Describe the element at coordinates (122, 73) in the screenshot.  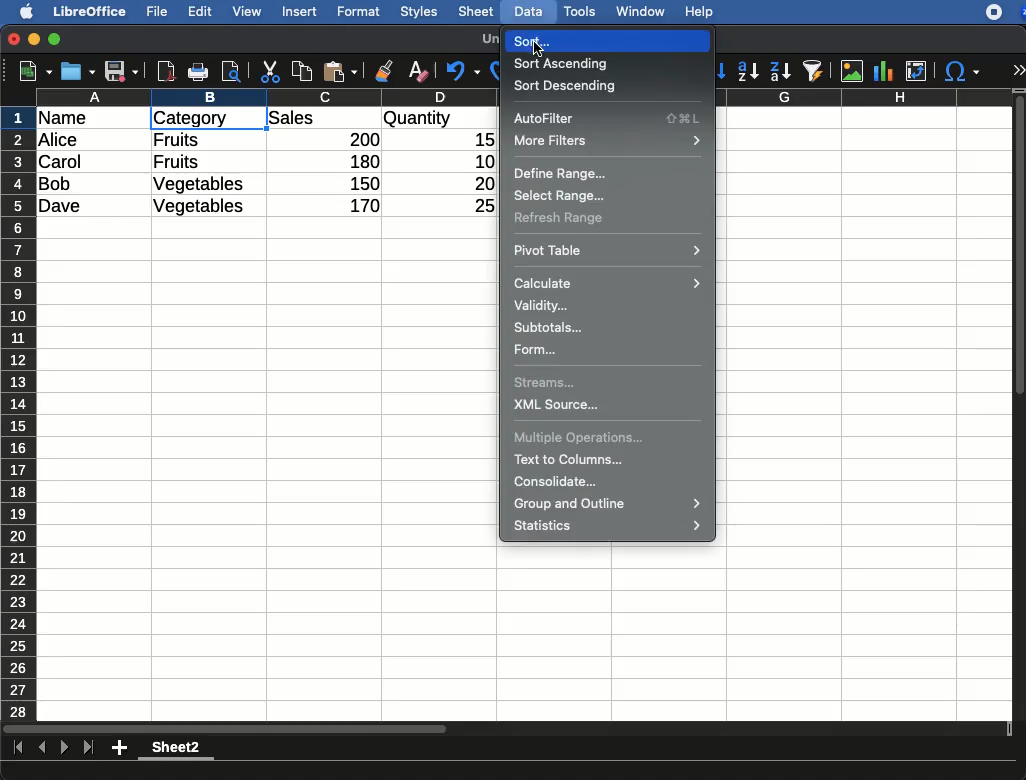
I see `save` at that location.